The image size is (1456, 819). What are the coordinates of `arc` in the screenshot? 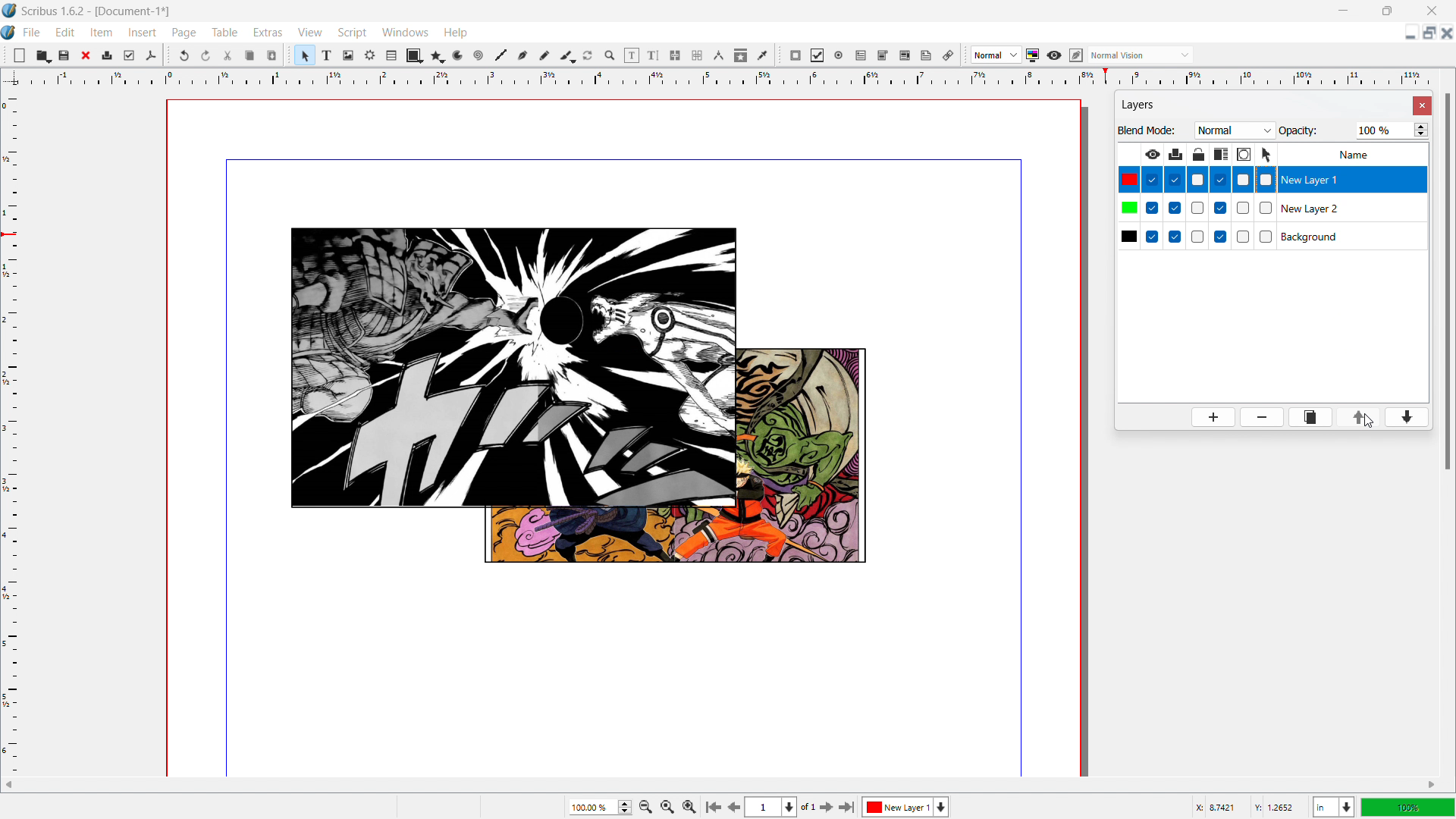 It's located at (459, 55).